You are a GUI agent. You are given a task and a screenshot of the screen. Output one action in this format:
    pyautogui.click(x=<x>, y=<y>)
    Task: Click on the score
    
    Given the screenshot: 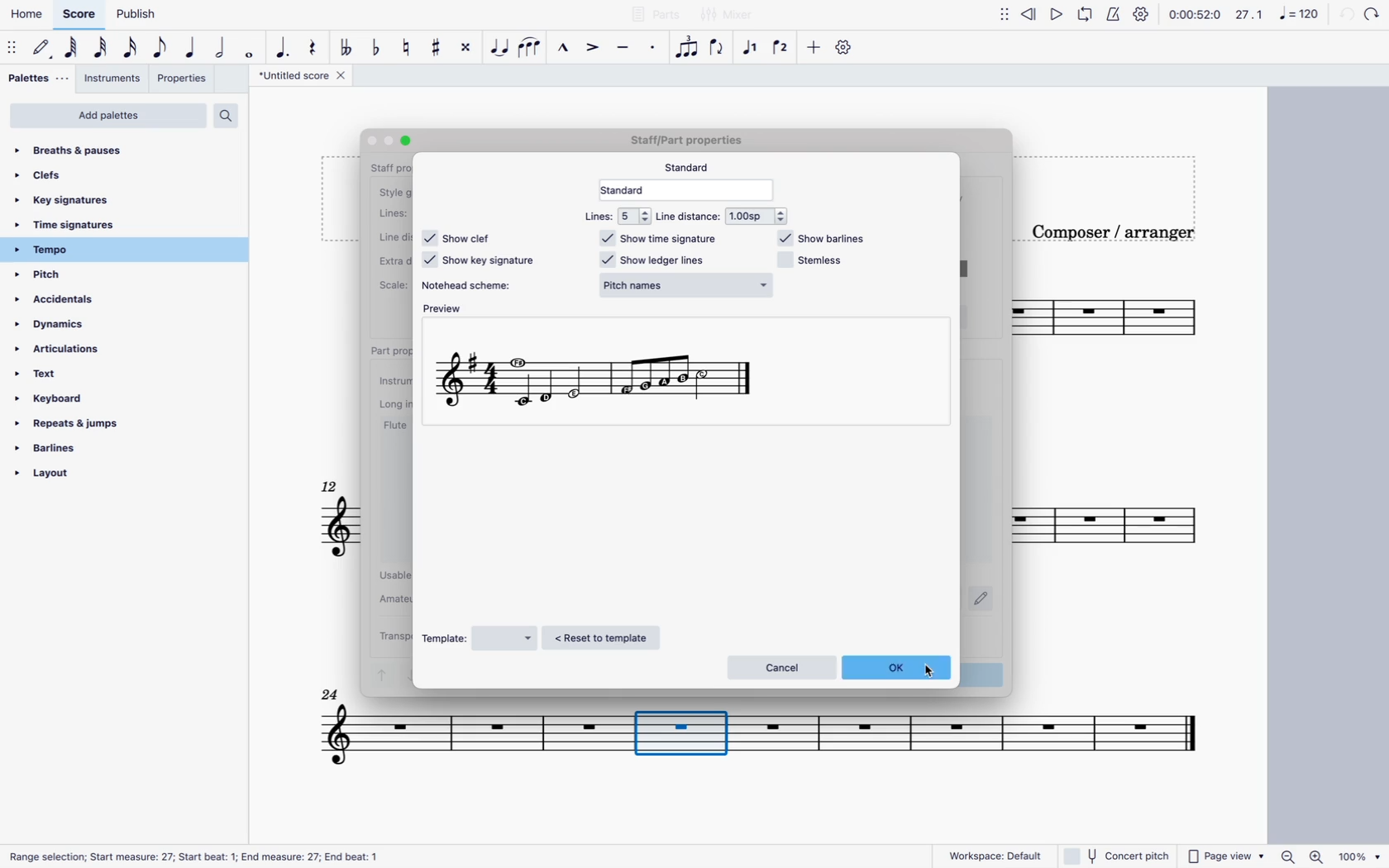 What is the action you would take?
    pyautogui.click(x=766, y=742)
    